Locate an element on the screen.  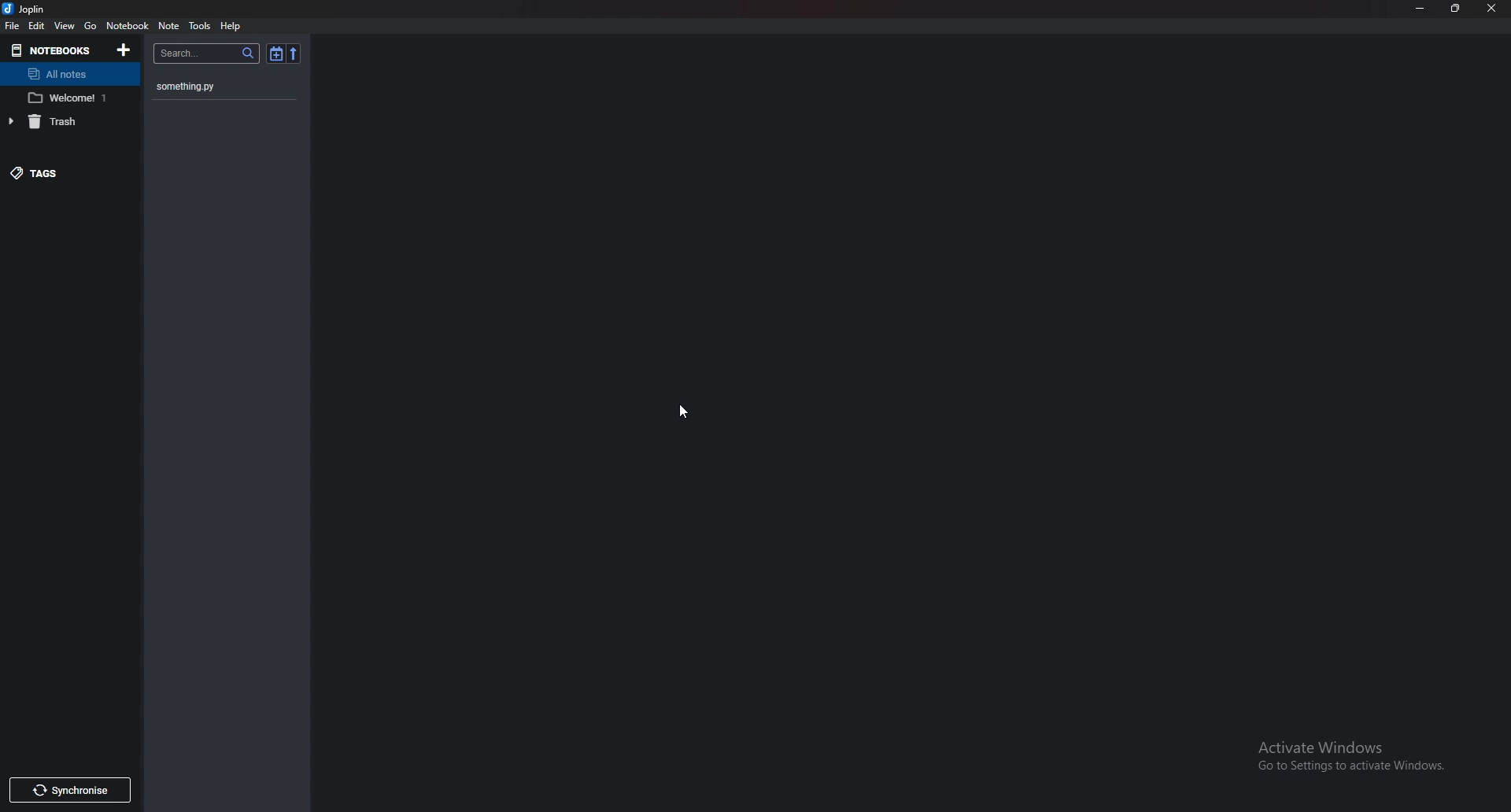
activate windows is located at coordinates (1349, 755).